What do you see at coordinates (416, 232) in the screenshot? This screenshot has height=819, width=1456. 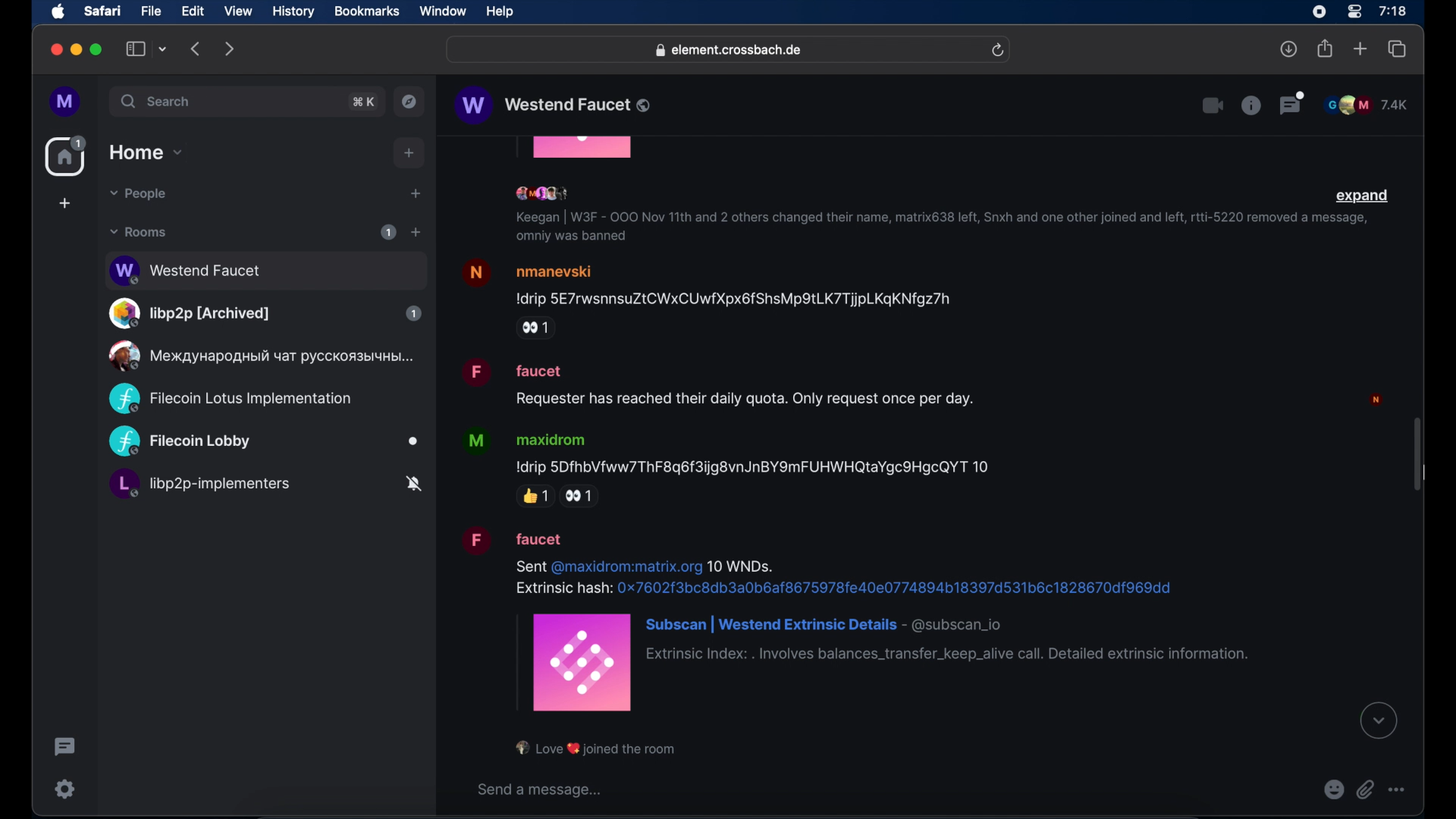 I see `add room` at bounding box center [416, 232].